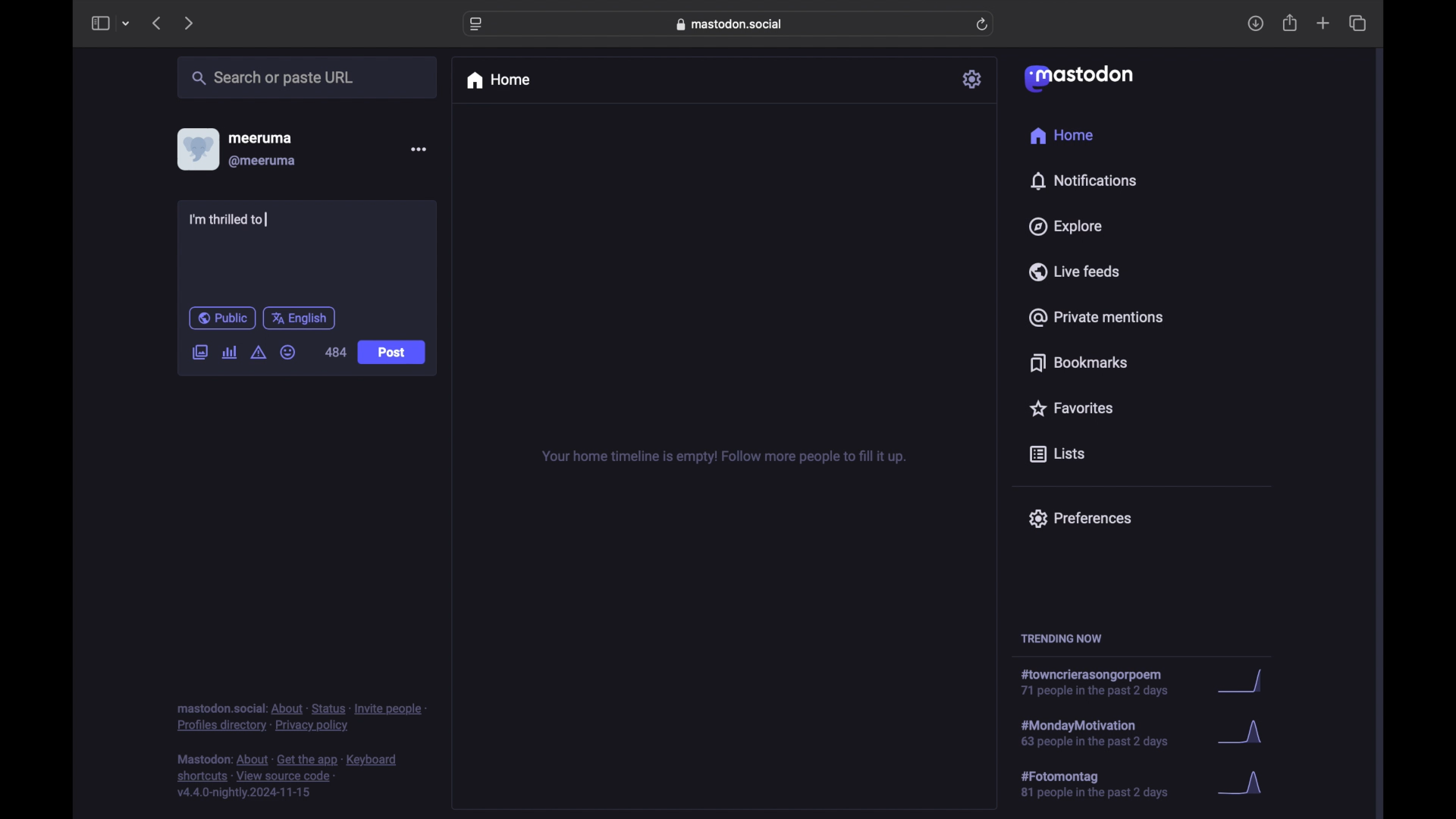  Describe the element at coordinates (287, 777) in the screenshot. I see `footnote` at that location.